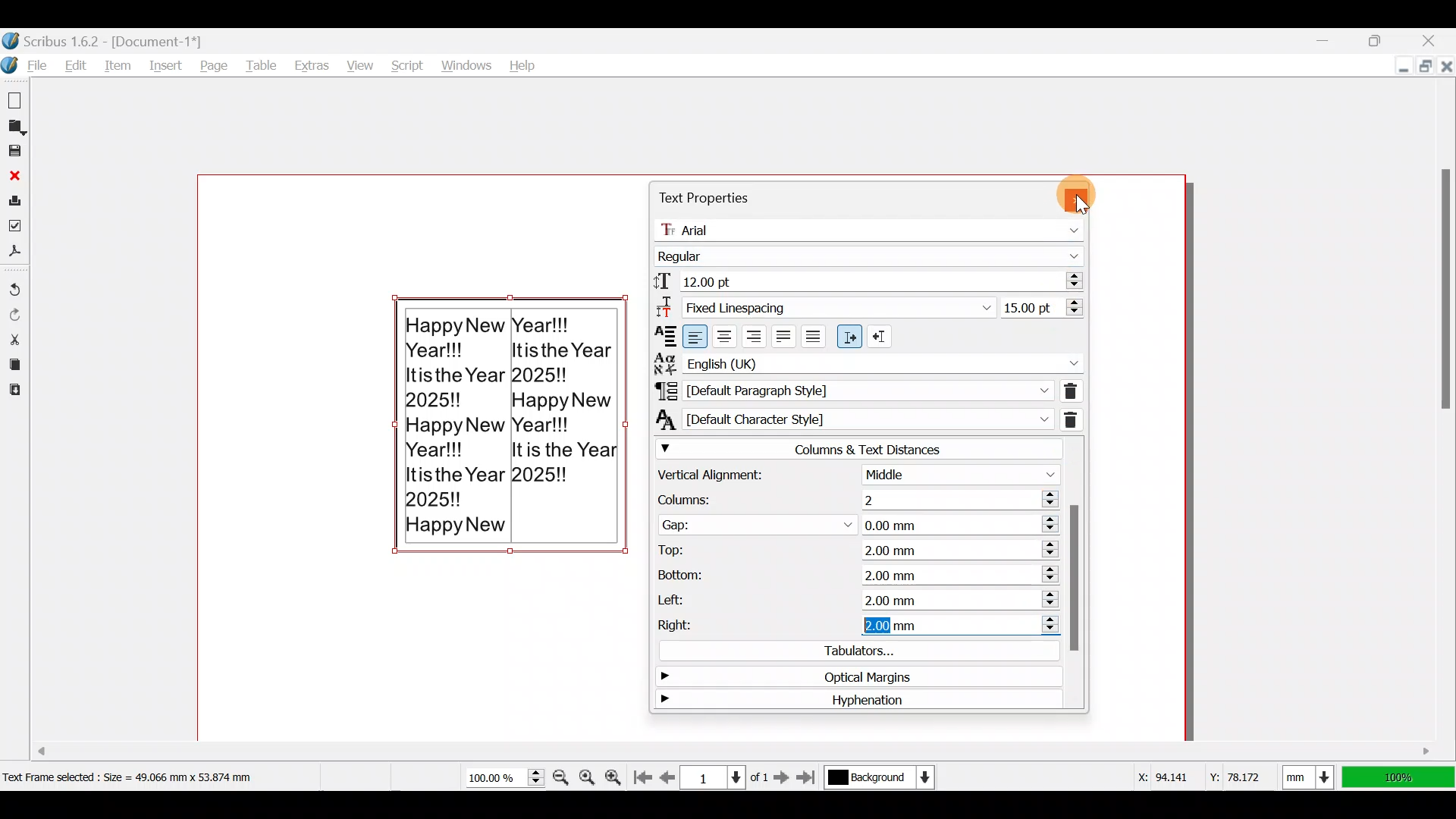 This screenshot has width=1456, height=819. What do you see at coordinates (1093, 190) in the screenshot?
I see `Cursor on Close` at bounding box center [1093, 190].